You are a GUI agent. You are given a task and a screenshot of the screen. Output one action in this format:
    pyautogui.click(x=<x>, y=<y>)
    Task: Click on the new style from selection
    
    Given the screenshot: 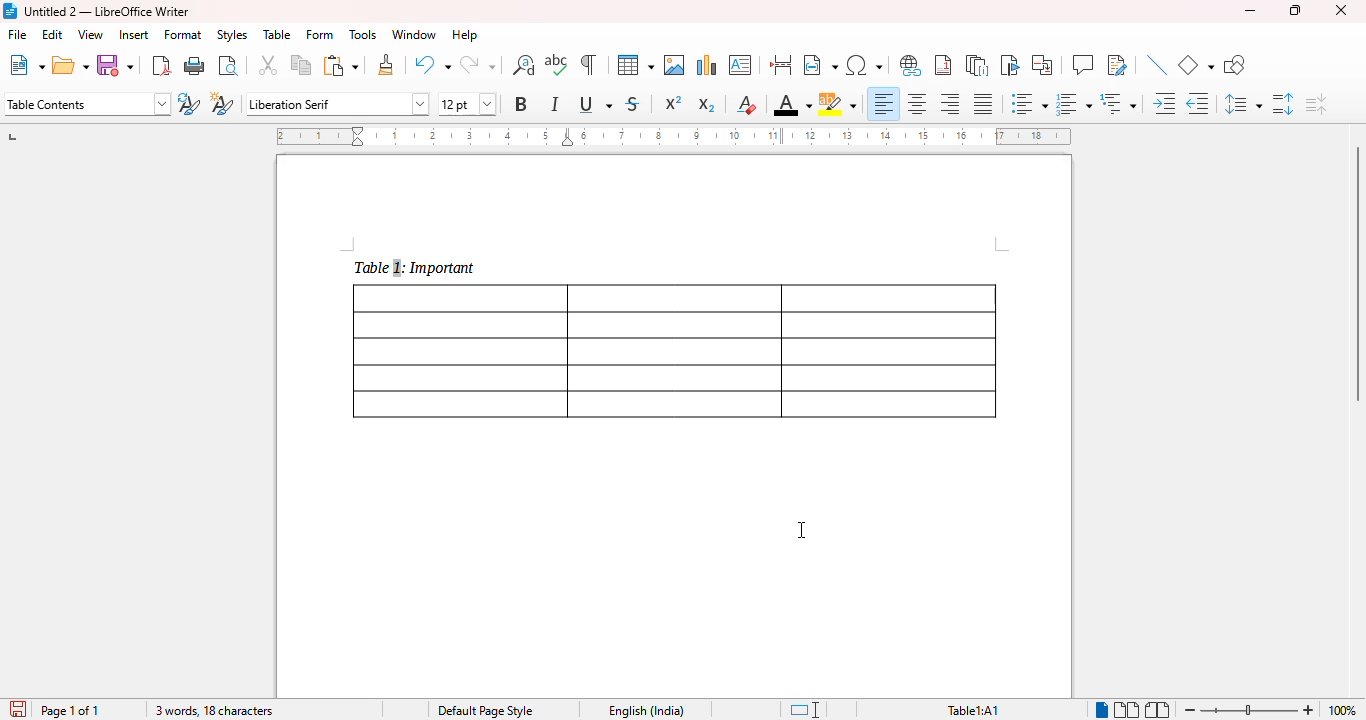 What is the action you would take?
    pyautogui.click(x=223, y=103)
    